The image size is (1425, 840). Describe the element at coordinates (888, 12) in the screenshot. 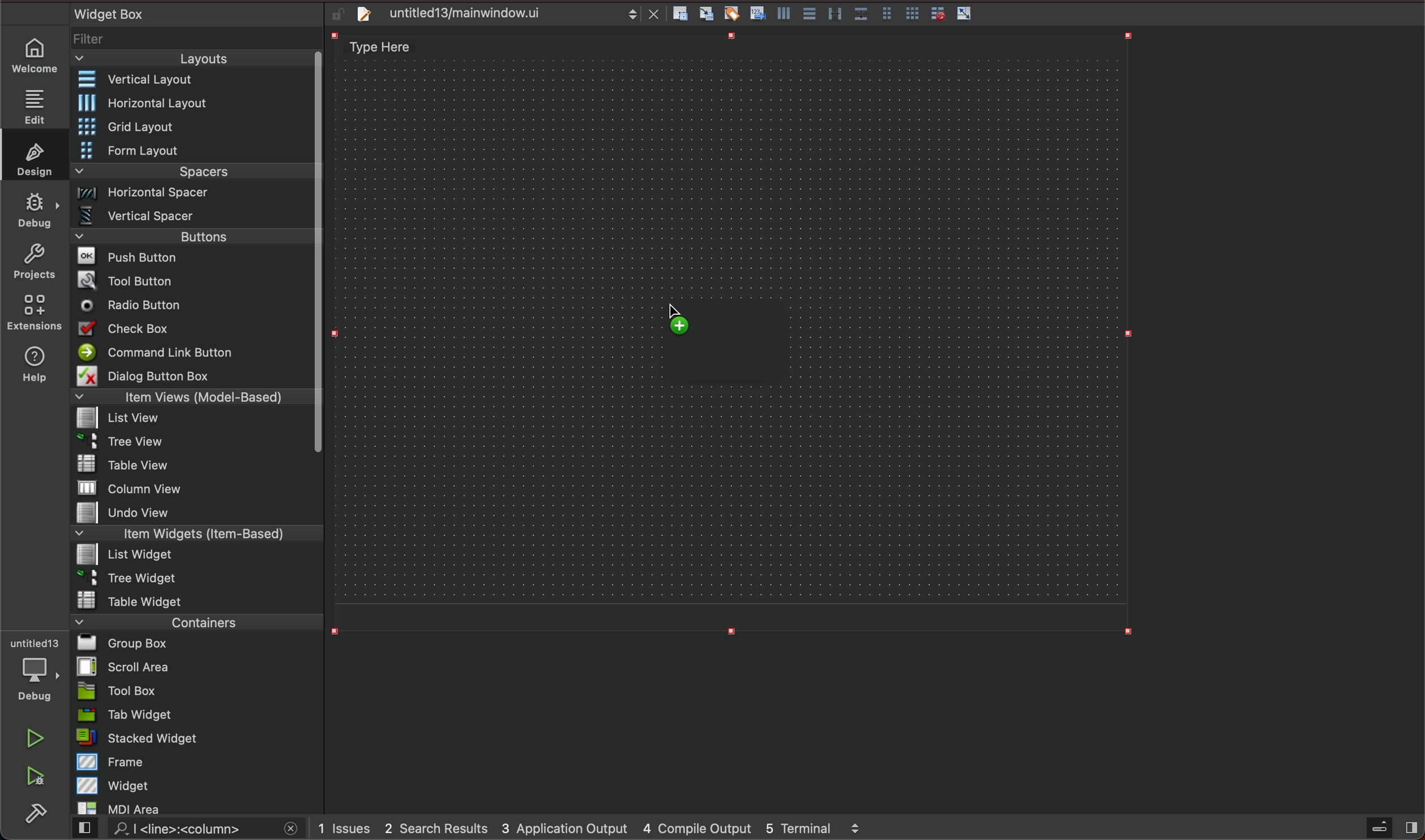

I see `` at that location.